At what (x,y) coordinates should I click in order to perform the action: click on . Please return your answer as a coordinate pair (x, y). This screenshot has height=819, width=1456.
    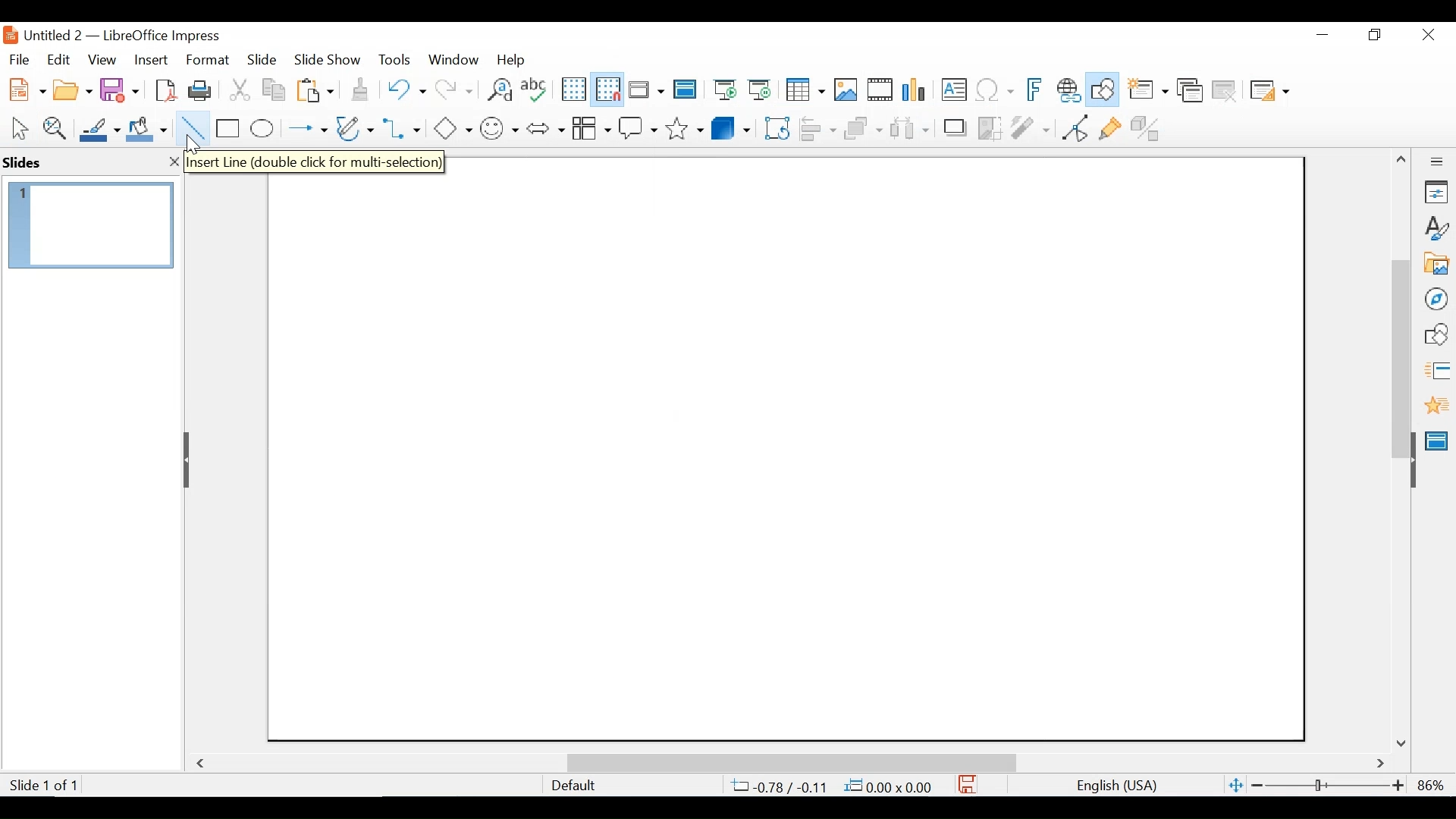
    Looking at the image, I should click on (356, 127).